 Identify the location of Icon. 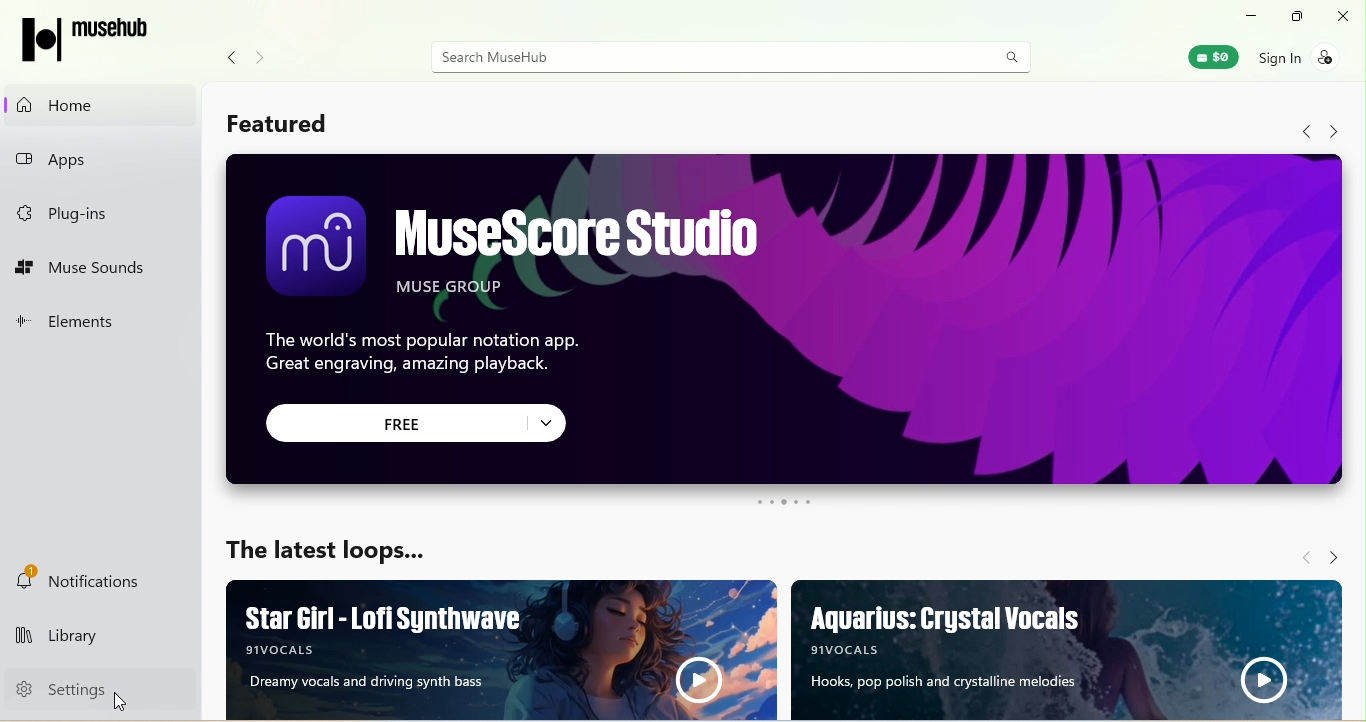
(312, 246).